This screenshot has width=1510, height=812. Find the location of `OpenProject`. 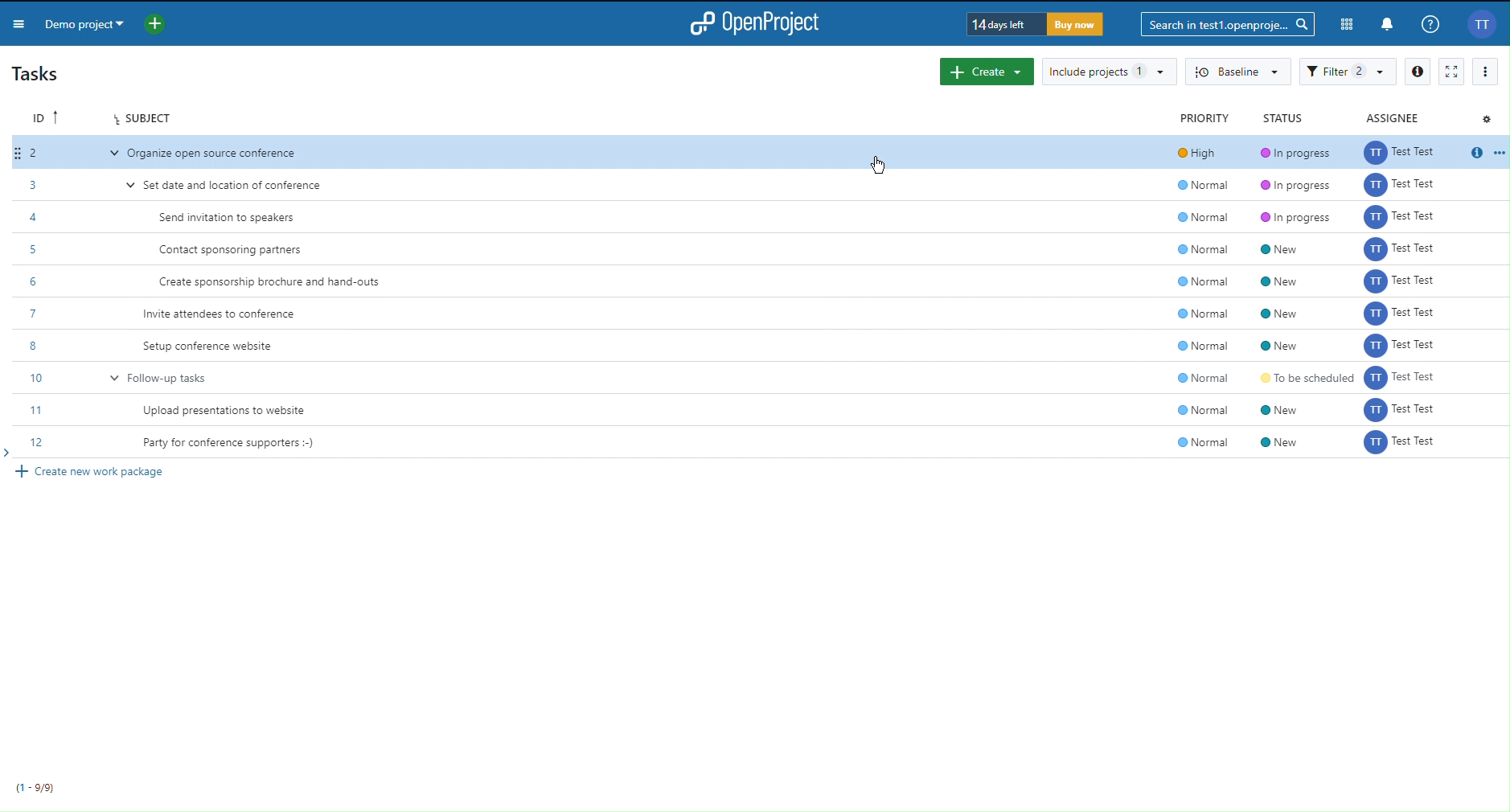

OpenProject is located at coordinates (761, 23).